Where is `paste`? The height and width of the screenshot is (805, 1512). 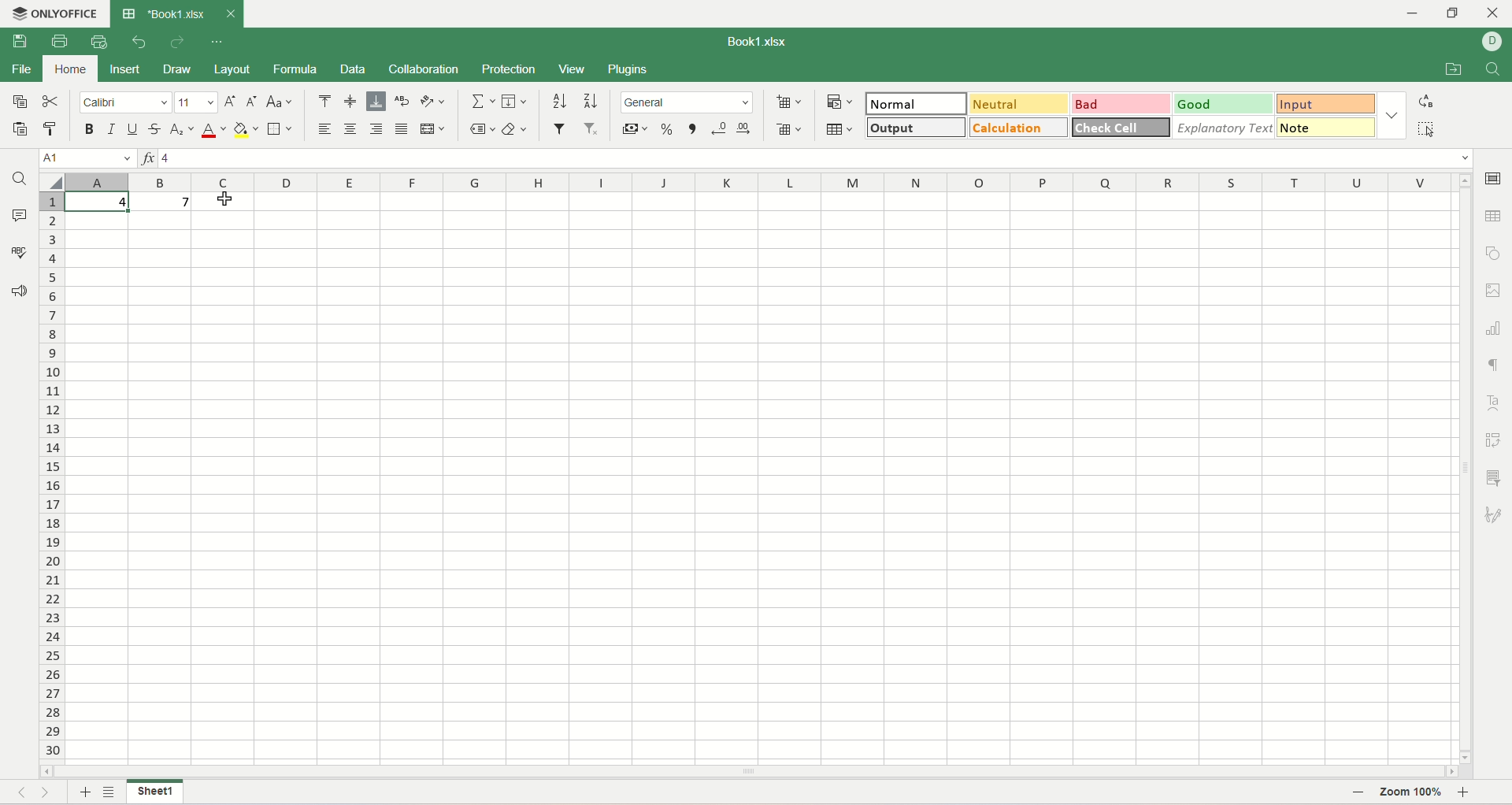
paste is located at coordinates (21, 131).